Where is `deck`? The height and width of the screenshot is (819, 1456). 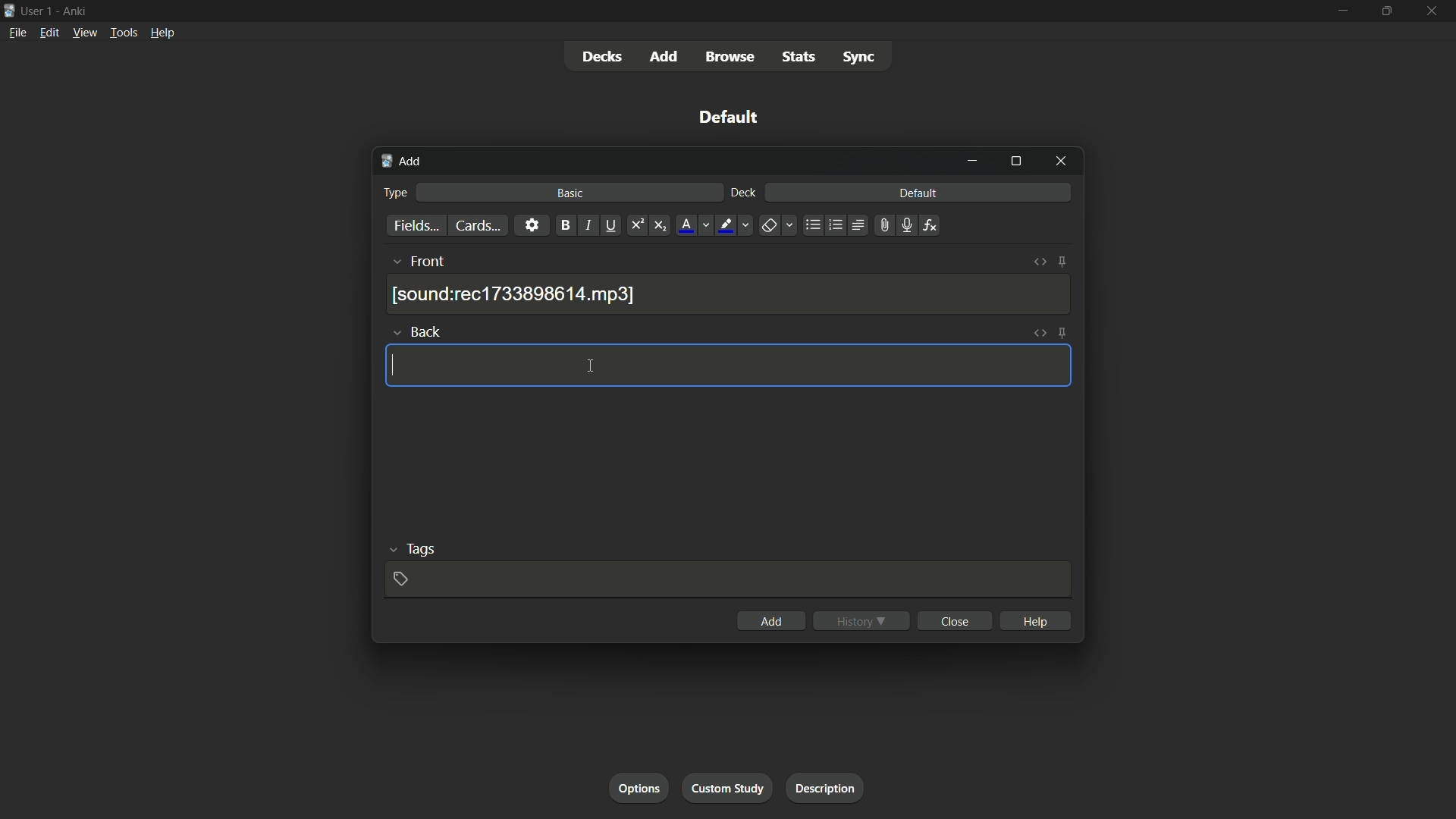
deck is located at coordinates (742, 193).